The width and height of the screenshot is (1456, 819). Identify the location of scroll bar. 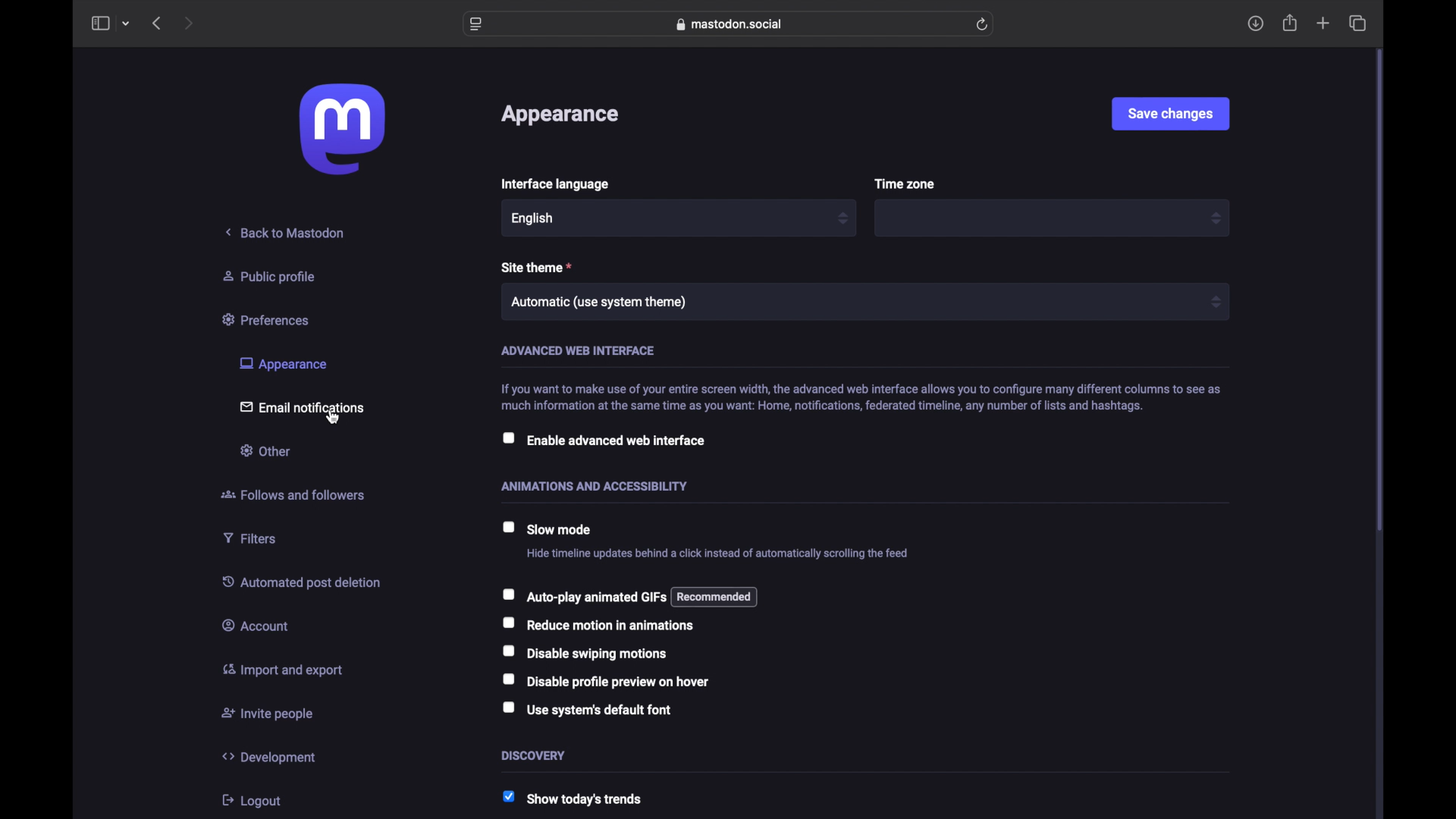
(1379, 291).